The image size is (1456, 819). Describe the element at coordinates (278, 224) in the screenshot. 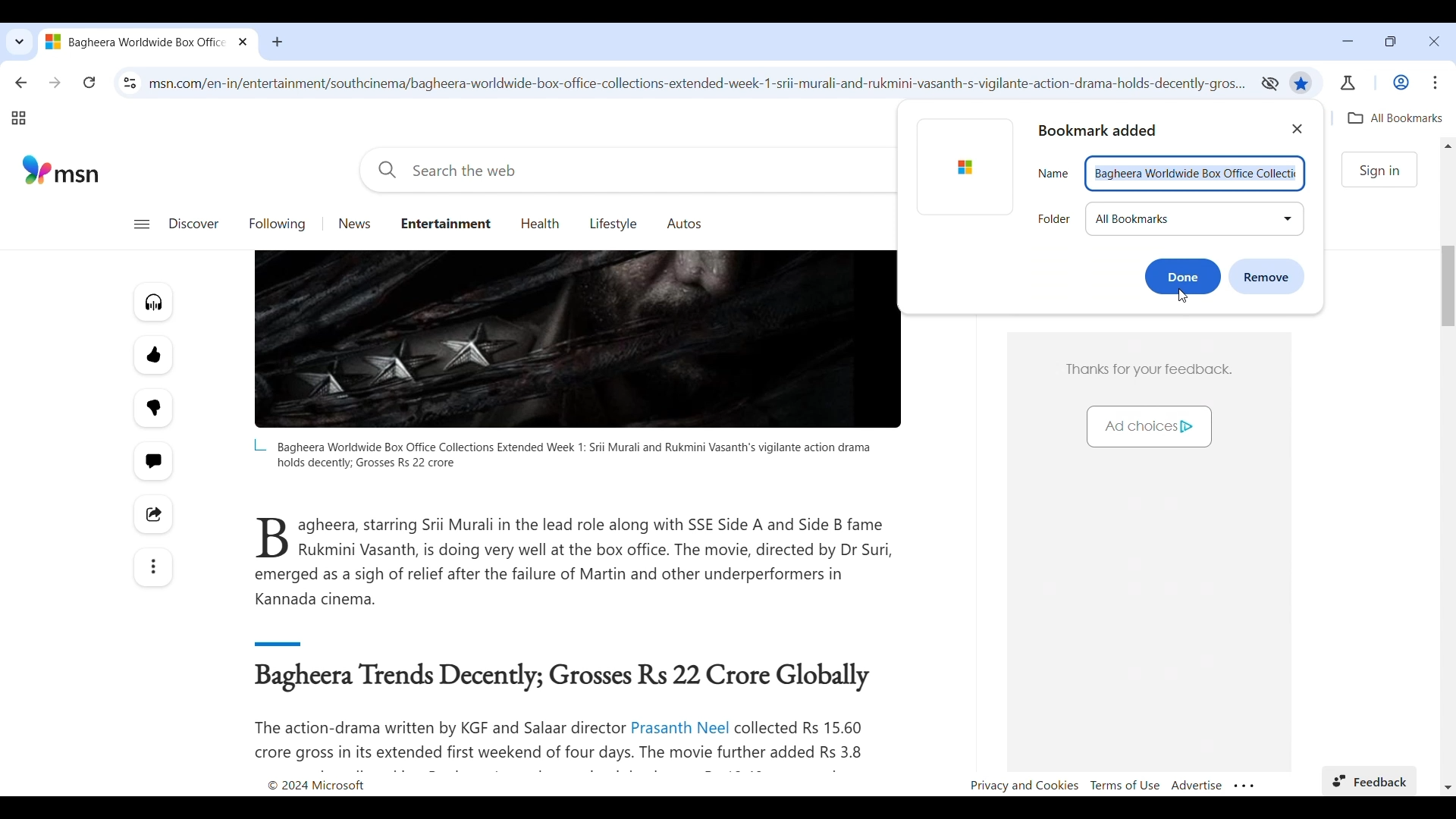

I see `Go to following page` at that location.